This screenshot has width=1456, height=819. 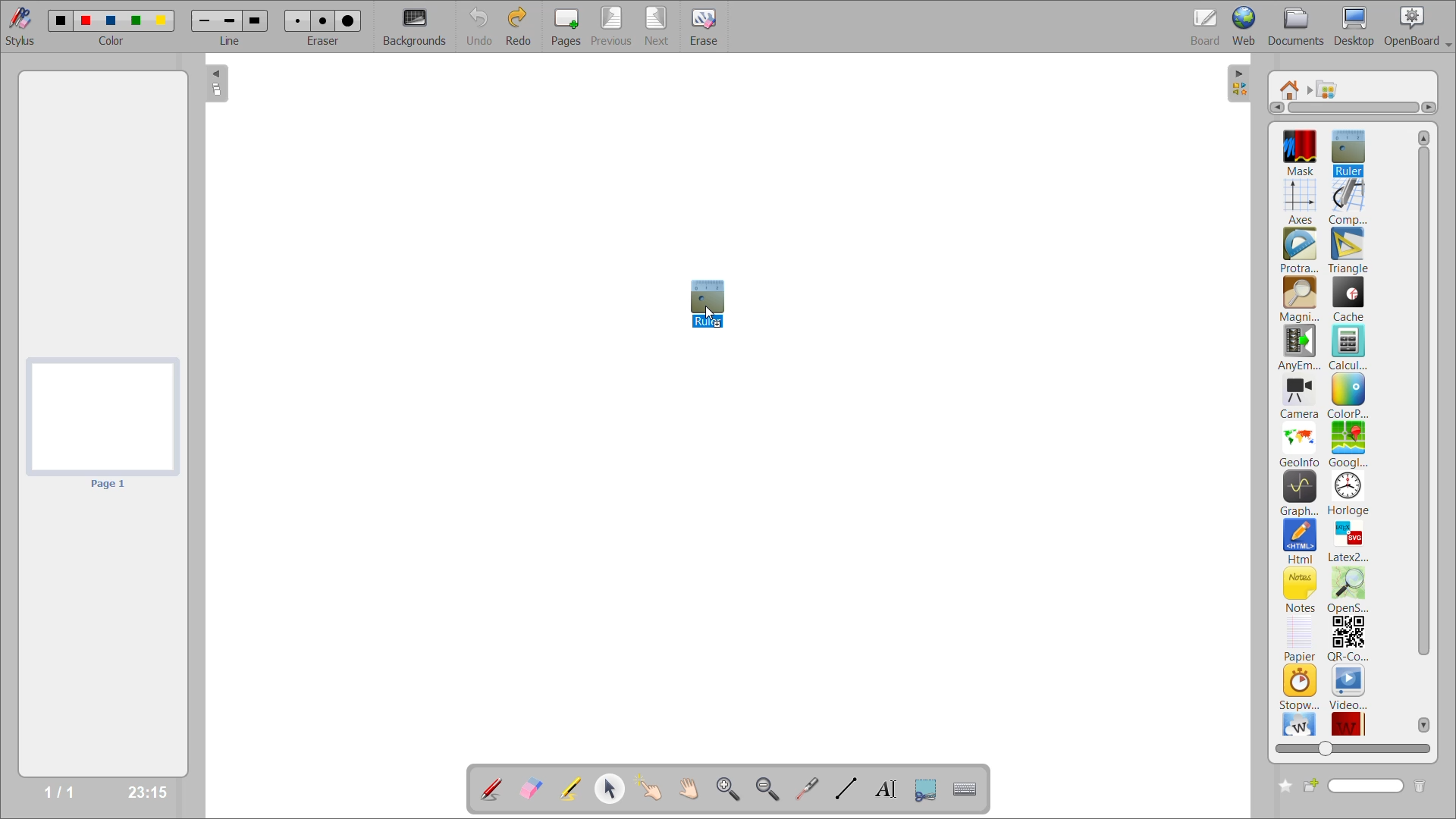 I want to click on previous, so click(x=612, y=25).